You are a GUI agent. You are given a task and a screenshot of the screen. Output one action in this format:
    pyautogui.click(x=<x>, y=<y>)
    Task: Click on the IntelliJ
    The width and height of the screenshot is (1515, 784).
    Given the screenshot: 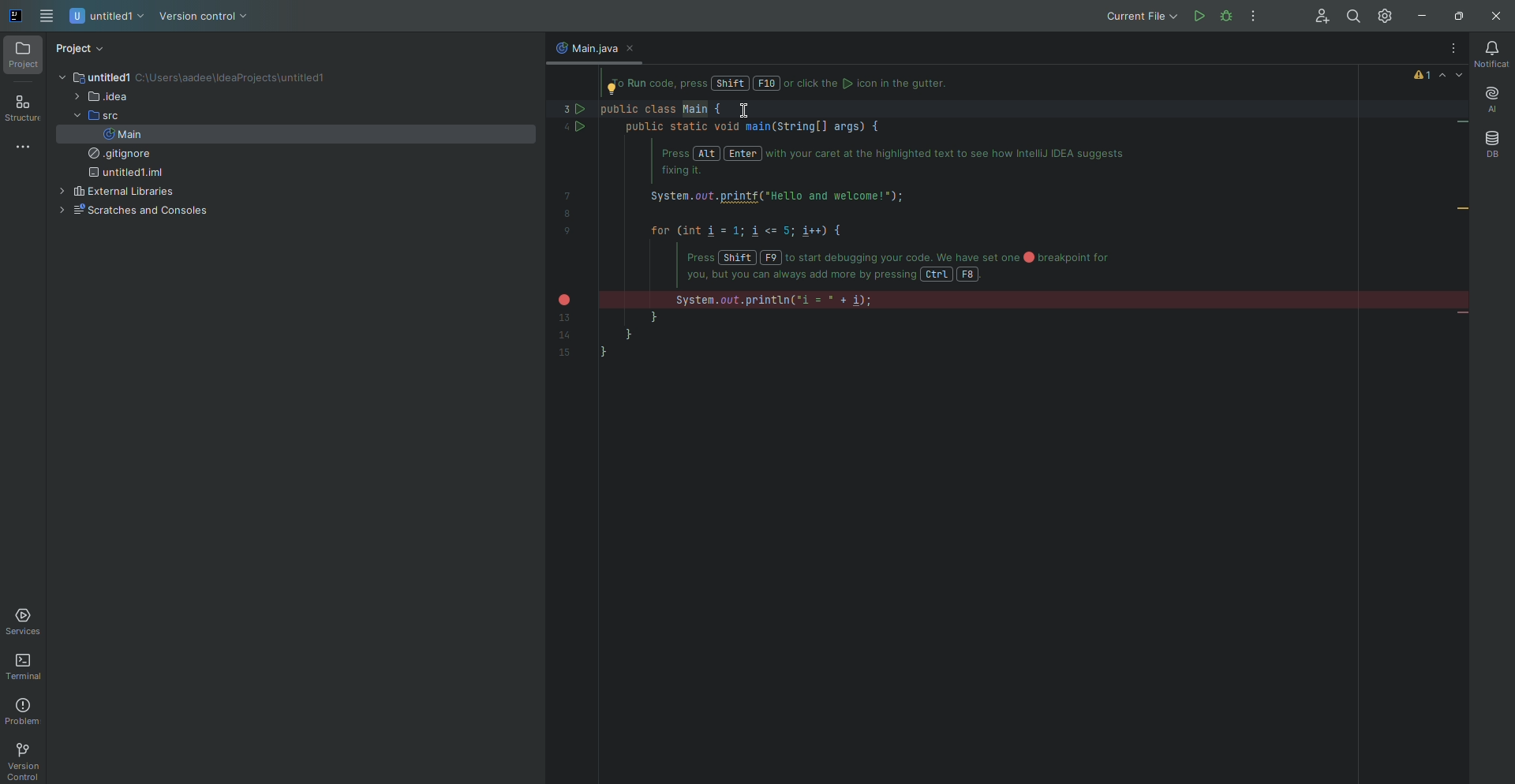 What is the action you would take?
    pyautogui.click(x=17, y=17)
    